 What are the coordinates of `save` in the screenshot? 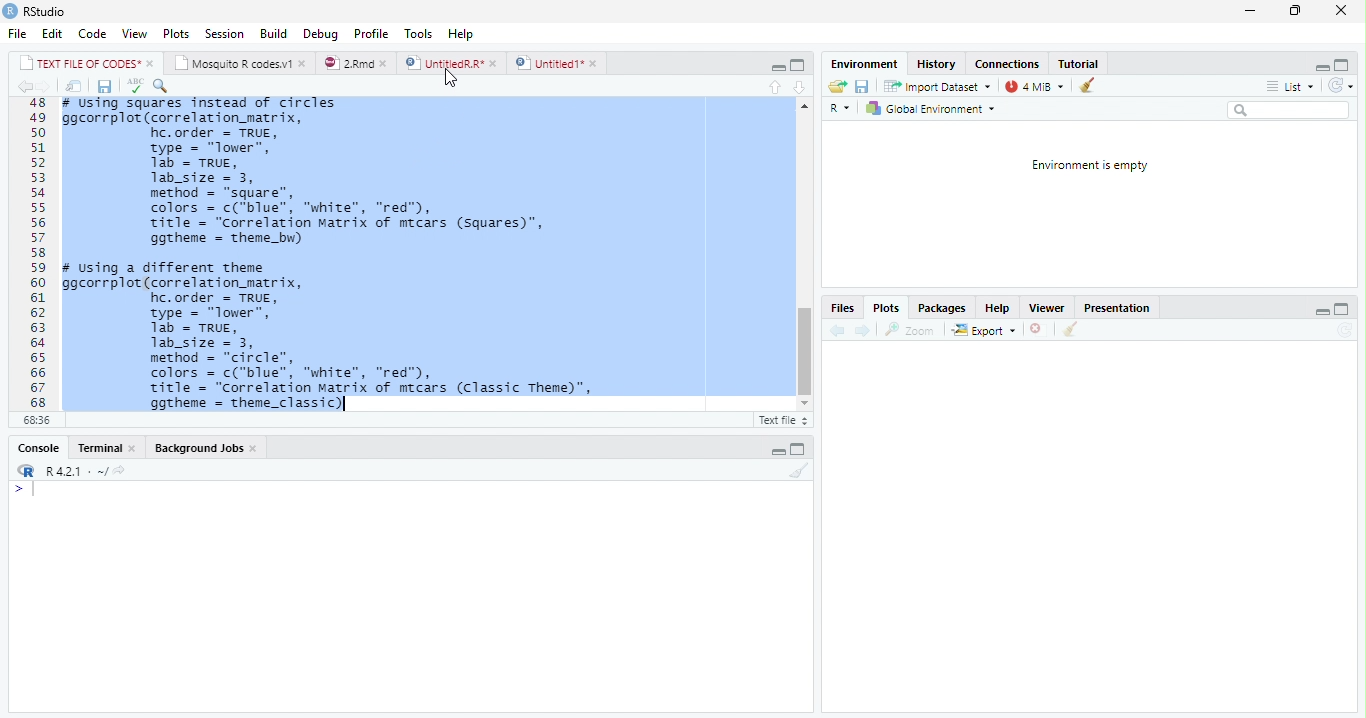 It's located at (864, 87).